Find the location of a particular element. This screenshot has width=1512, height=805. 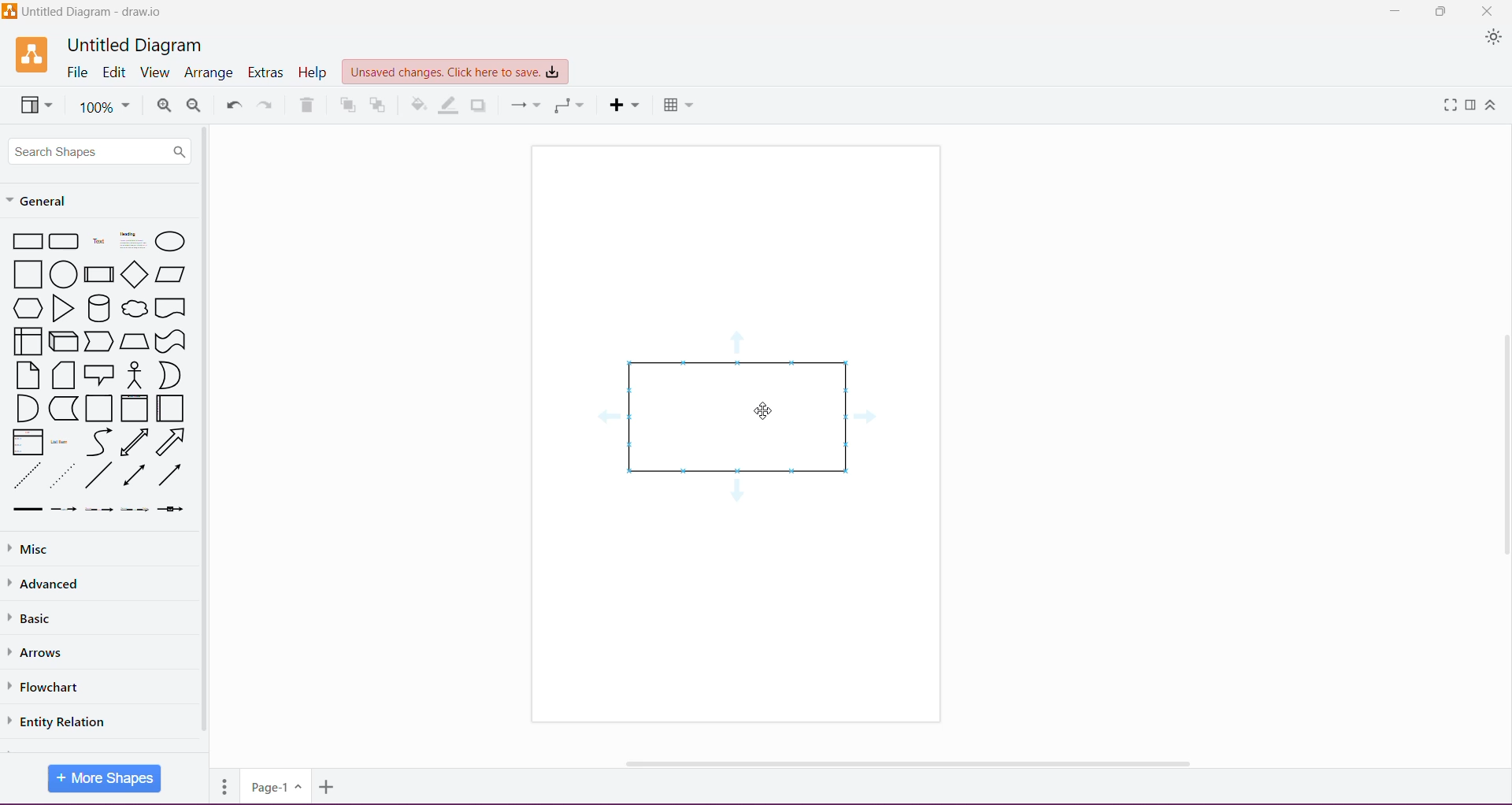

Available shapes under Genera category is located at coordinates (98, 372).